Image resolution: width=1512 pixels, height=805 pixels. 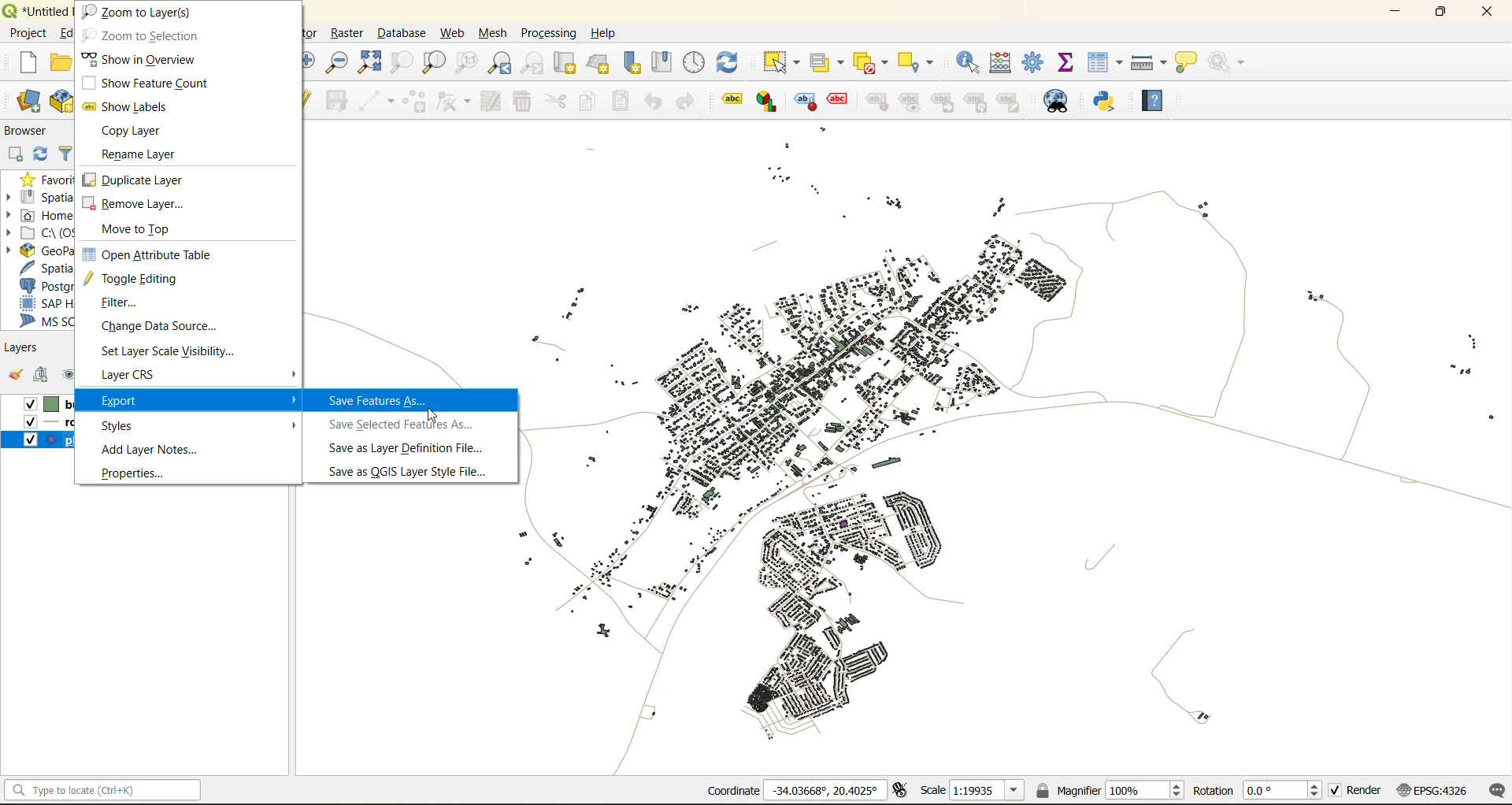 I want to click on show/hide labels and diagrams, so click(x=913, y=102).